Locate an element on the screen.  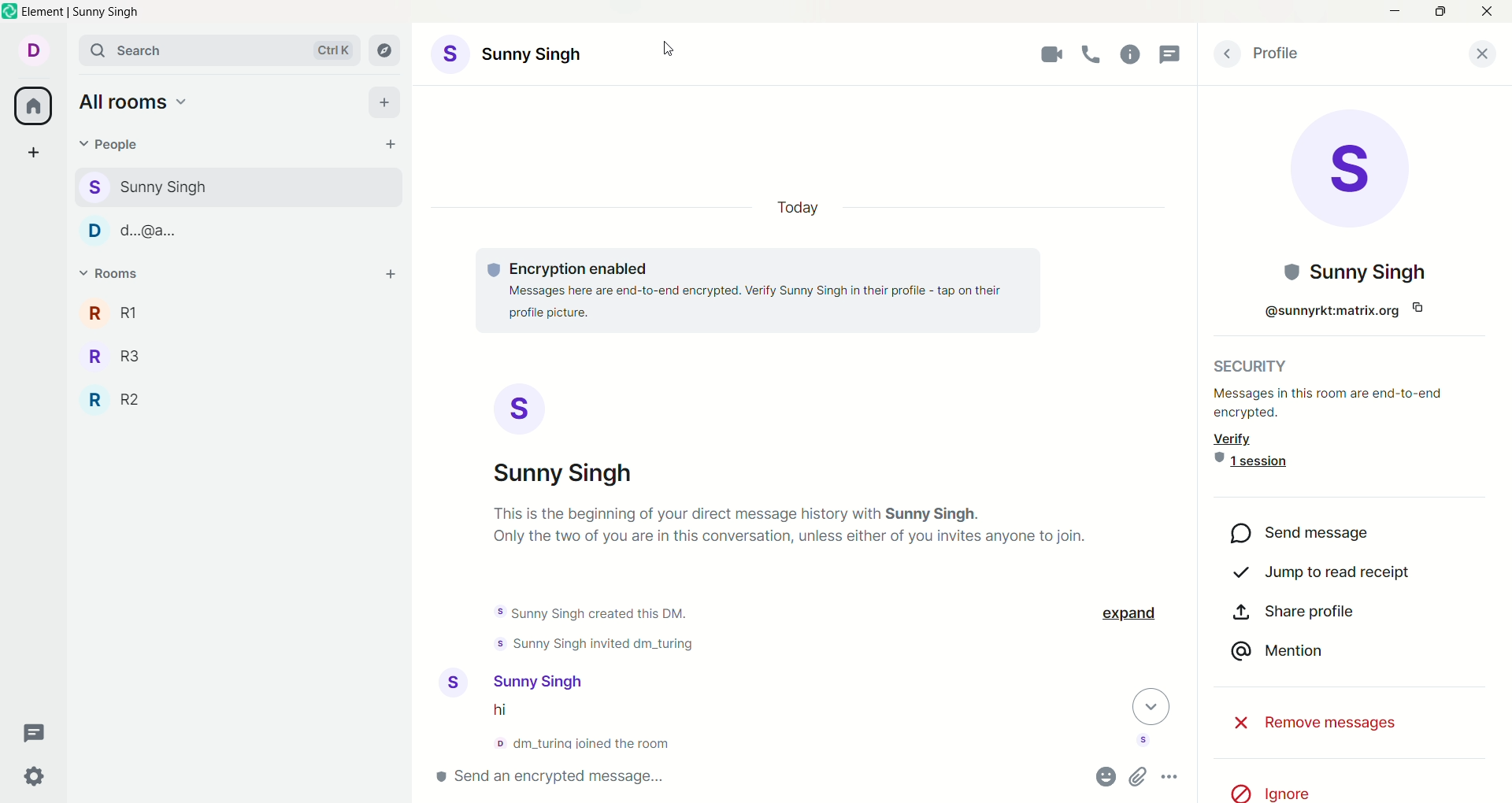
name is located at coordinates (1357, 272).